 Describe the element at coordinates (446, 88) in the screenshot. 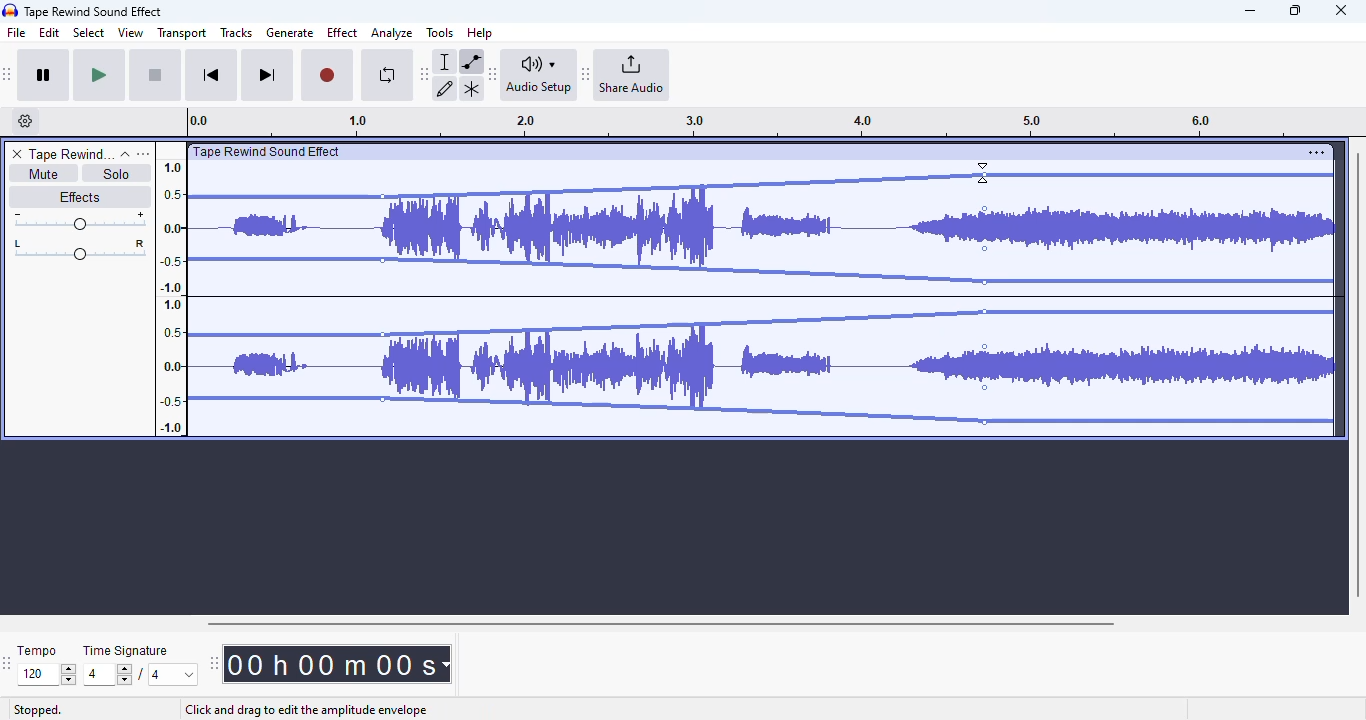

I see `draw tool` at that location.